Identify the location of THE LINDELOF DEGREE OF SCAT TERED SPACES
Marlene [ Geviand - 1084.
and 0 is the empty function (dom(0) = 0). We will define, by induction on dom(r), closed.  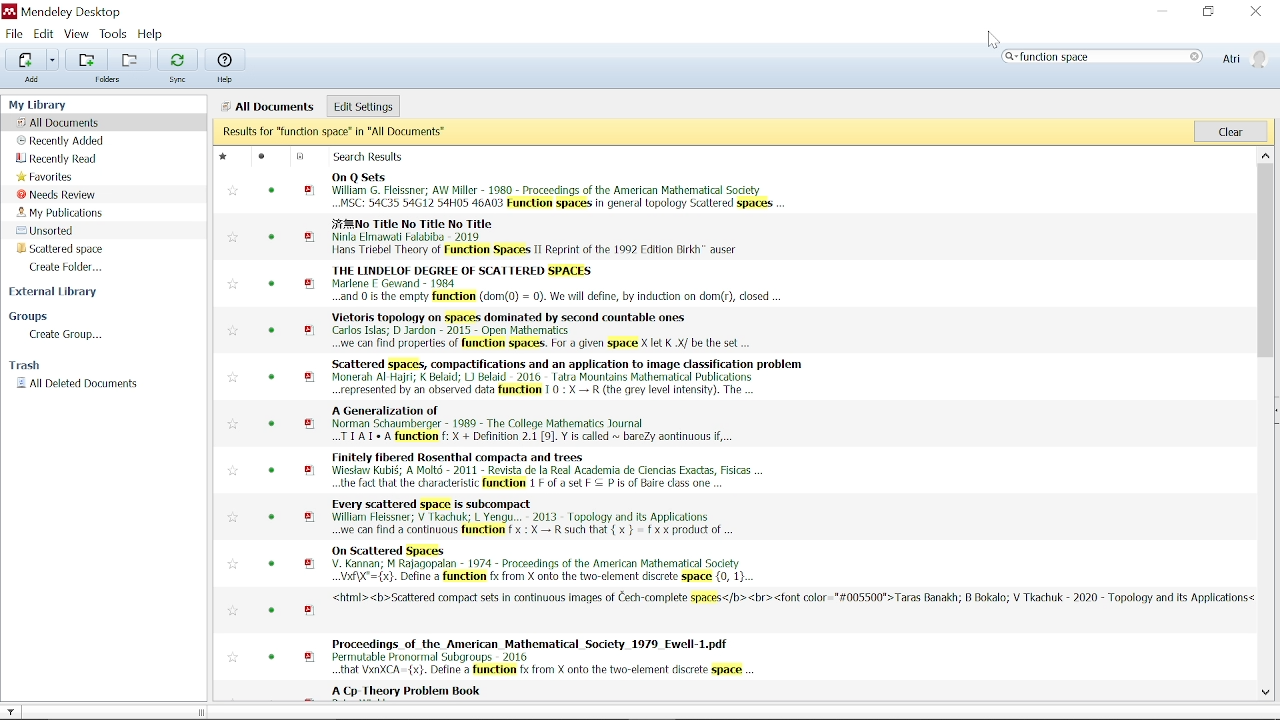
(757, 284).